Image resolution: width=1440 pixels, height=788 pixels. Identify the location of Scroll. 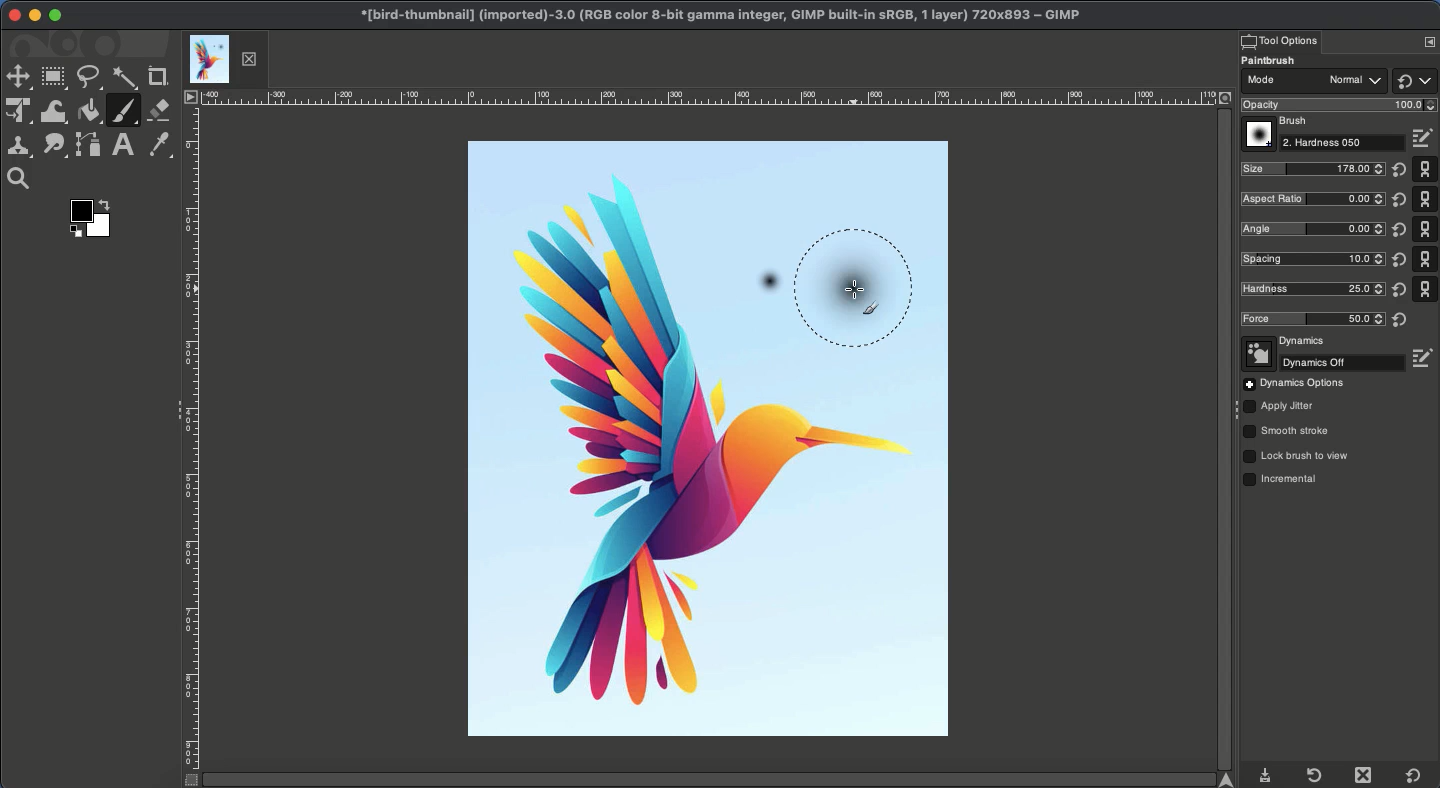
(1222, 439).